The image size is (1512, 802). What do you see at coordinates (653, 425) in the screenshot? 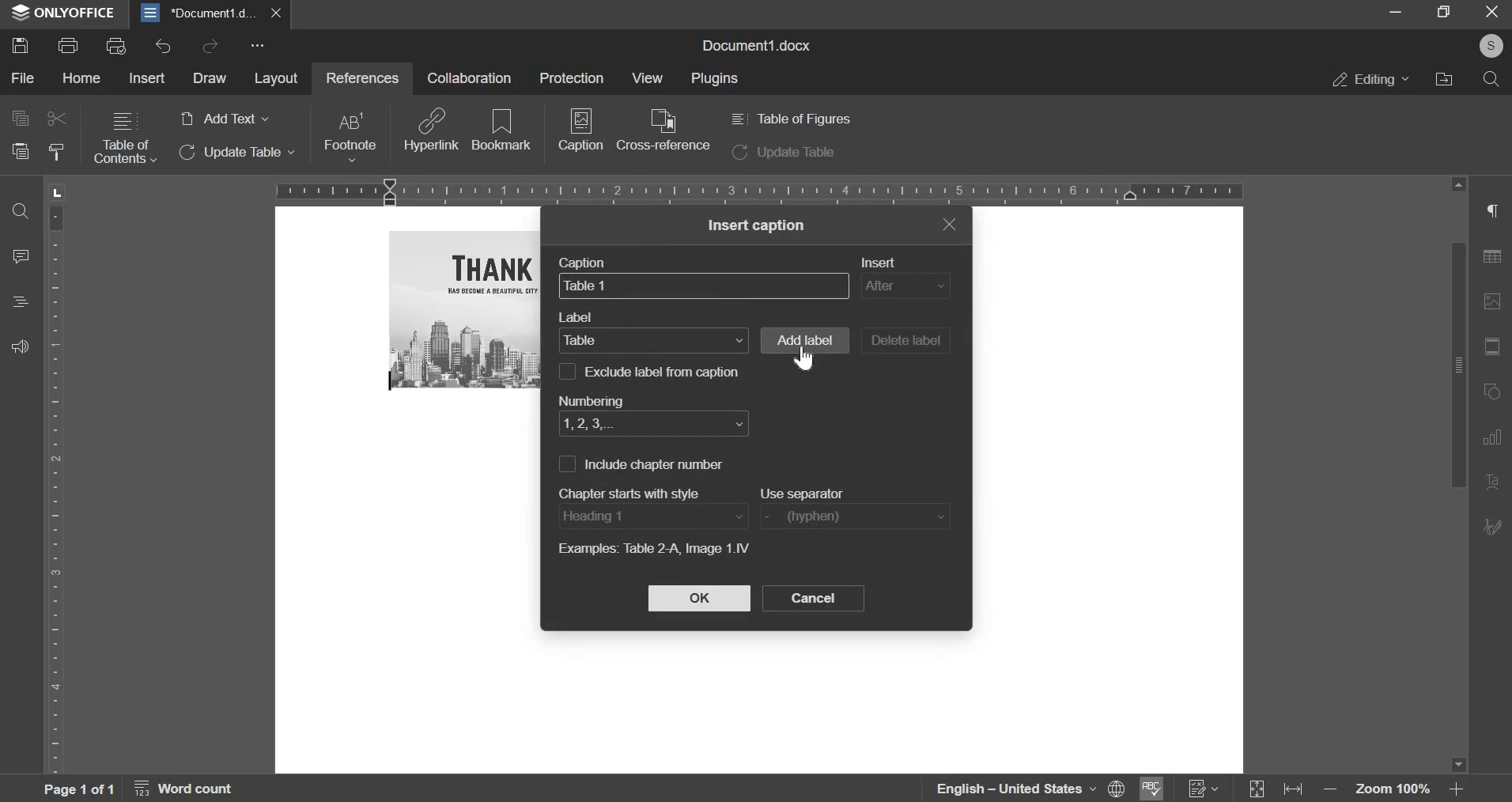
I see `numbering` at bounding box center [653, 425].